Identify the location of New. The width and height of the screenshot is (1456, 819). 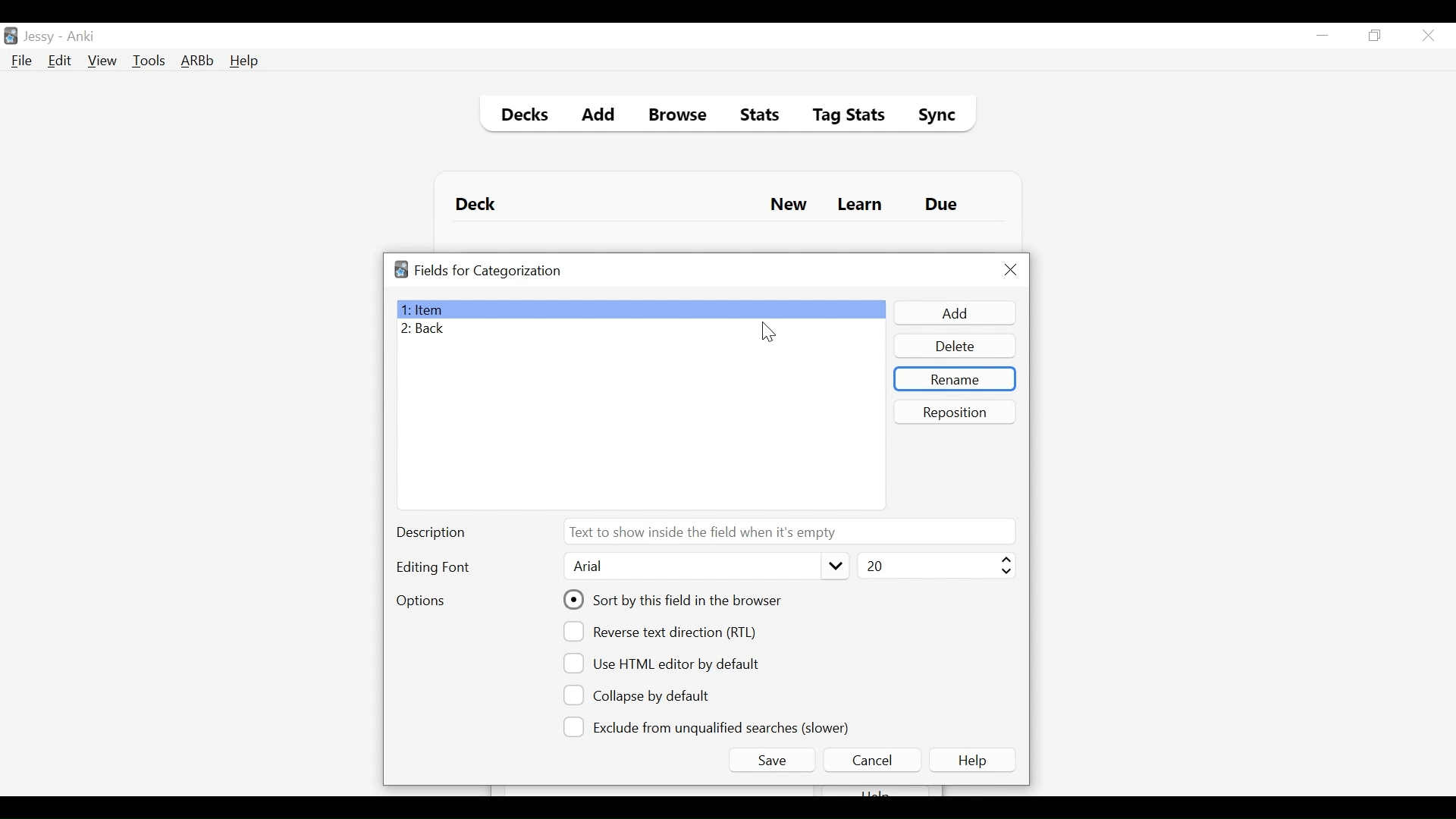
(789, 206).